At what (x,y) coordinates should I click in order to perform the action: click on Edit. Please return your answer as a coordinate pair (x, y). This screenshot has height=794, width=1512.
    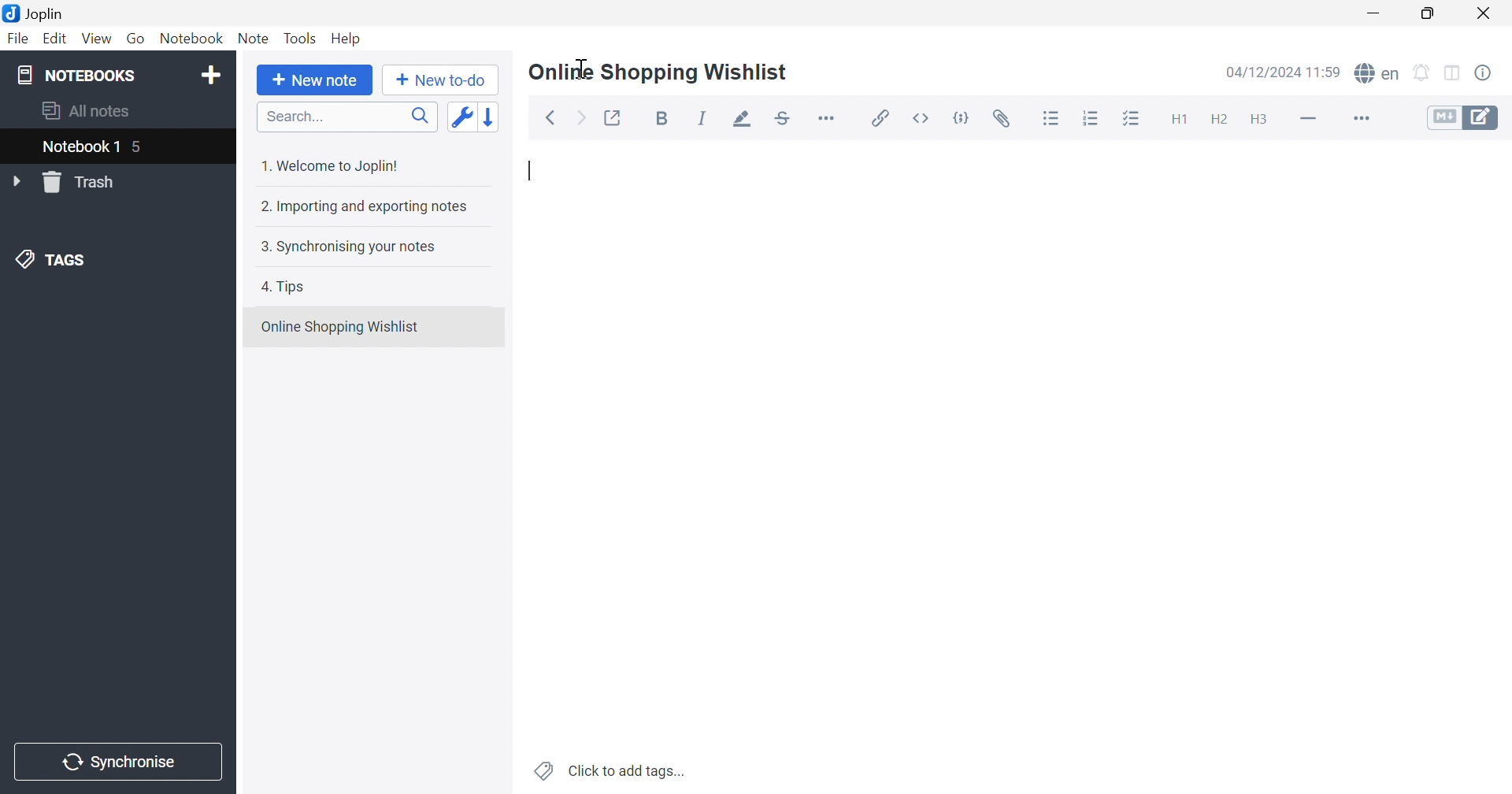
    Looking at the image, I should click on (56, 39).